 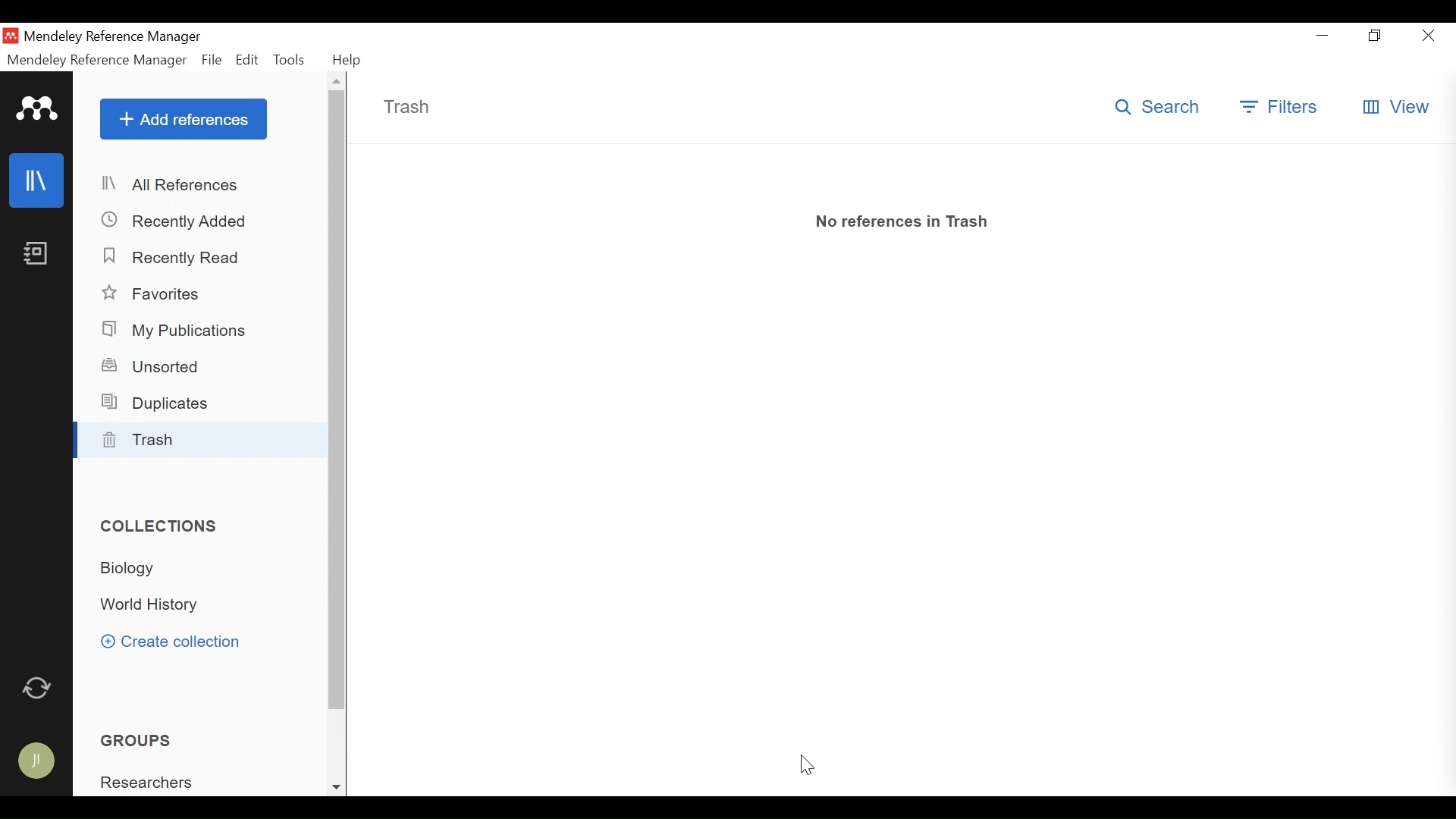 What do you see at coordinates (406, 107) in the screenshot?
I see `Trash` at bounding box center [406, 107].